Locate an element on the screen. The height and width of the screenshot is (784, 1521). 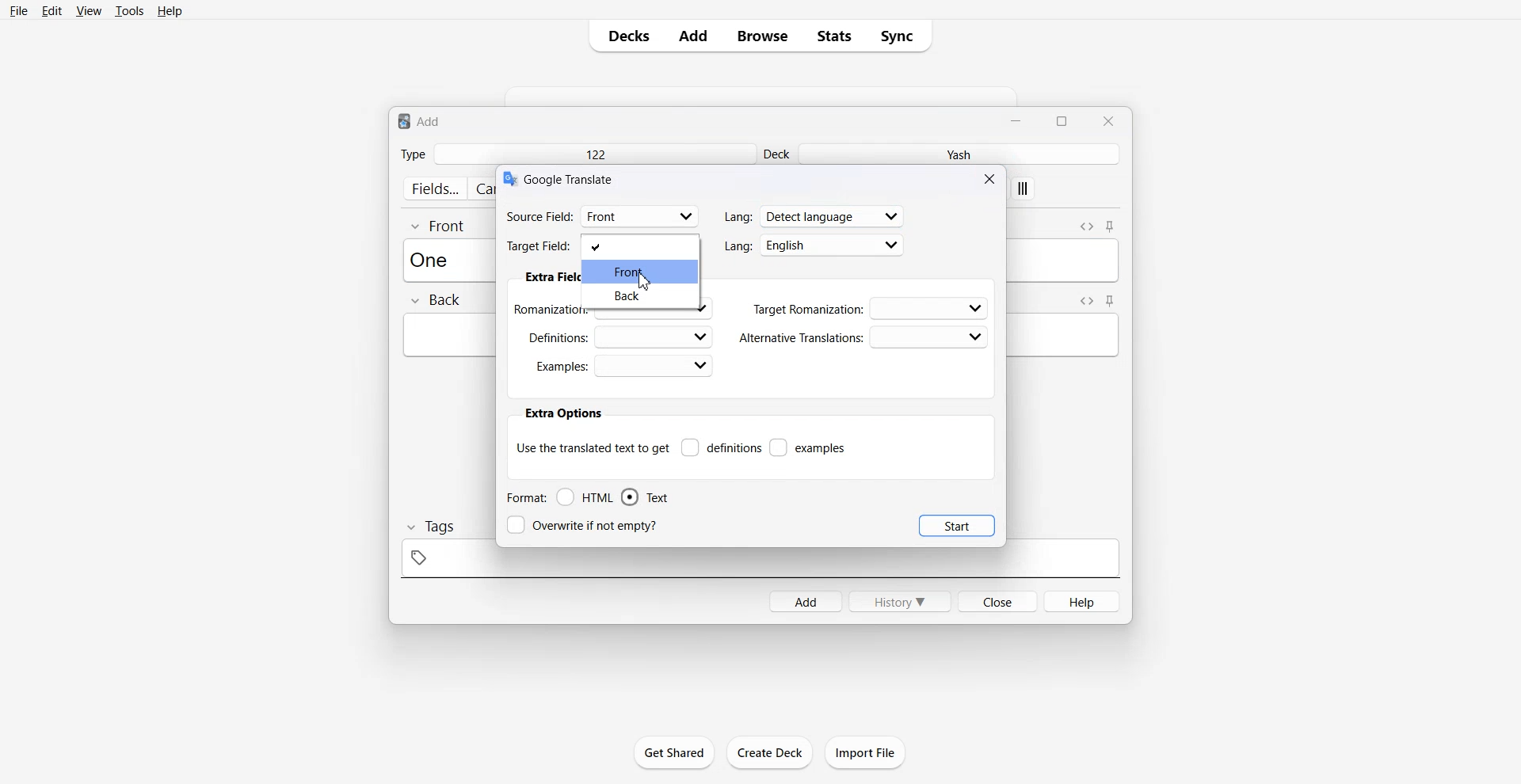
122 is located at coordinates (594, 154).